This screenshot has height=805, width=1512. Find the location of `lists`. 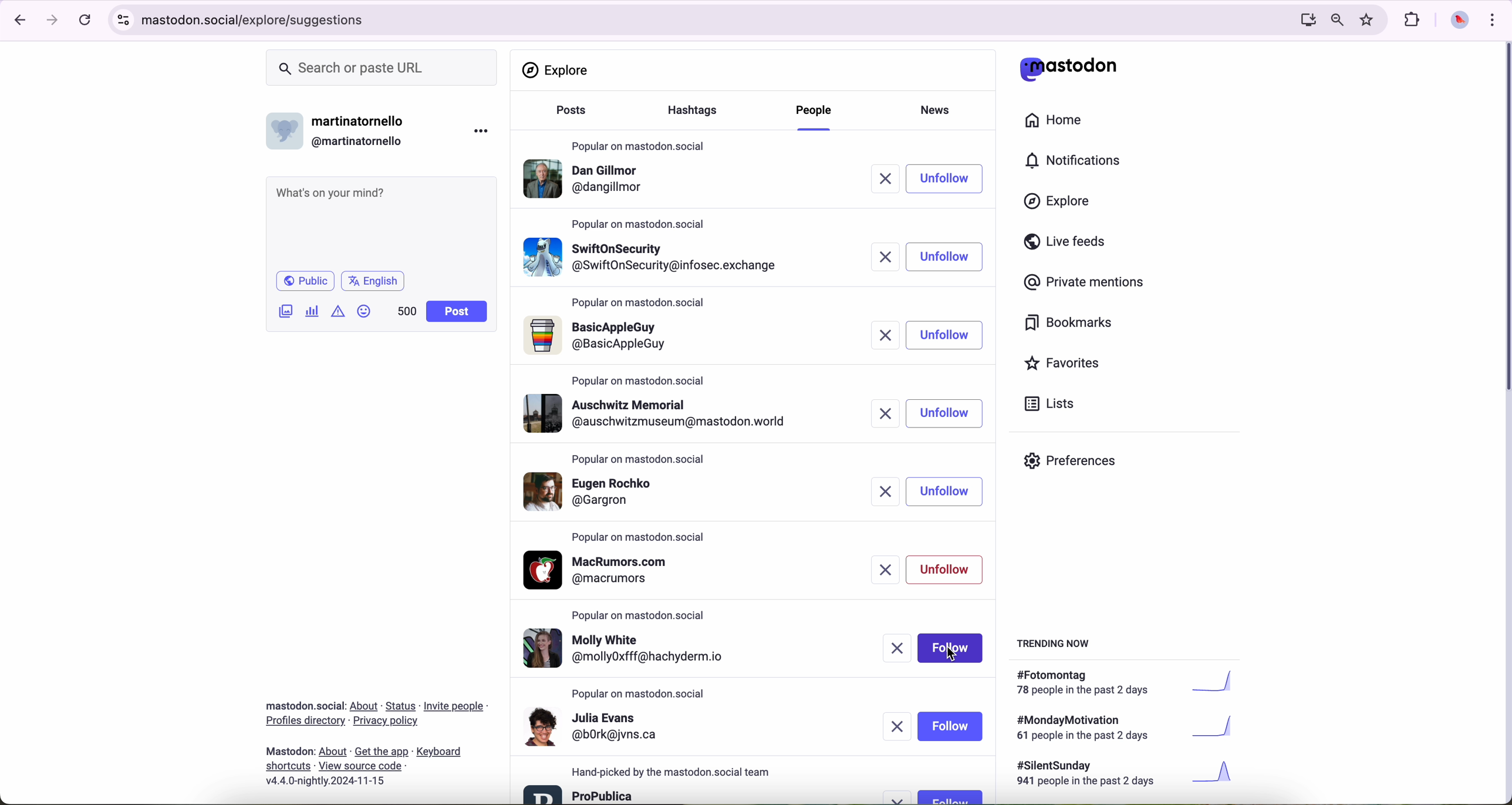

lists is located at coordinates (1045, 403).